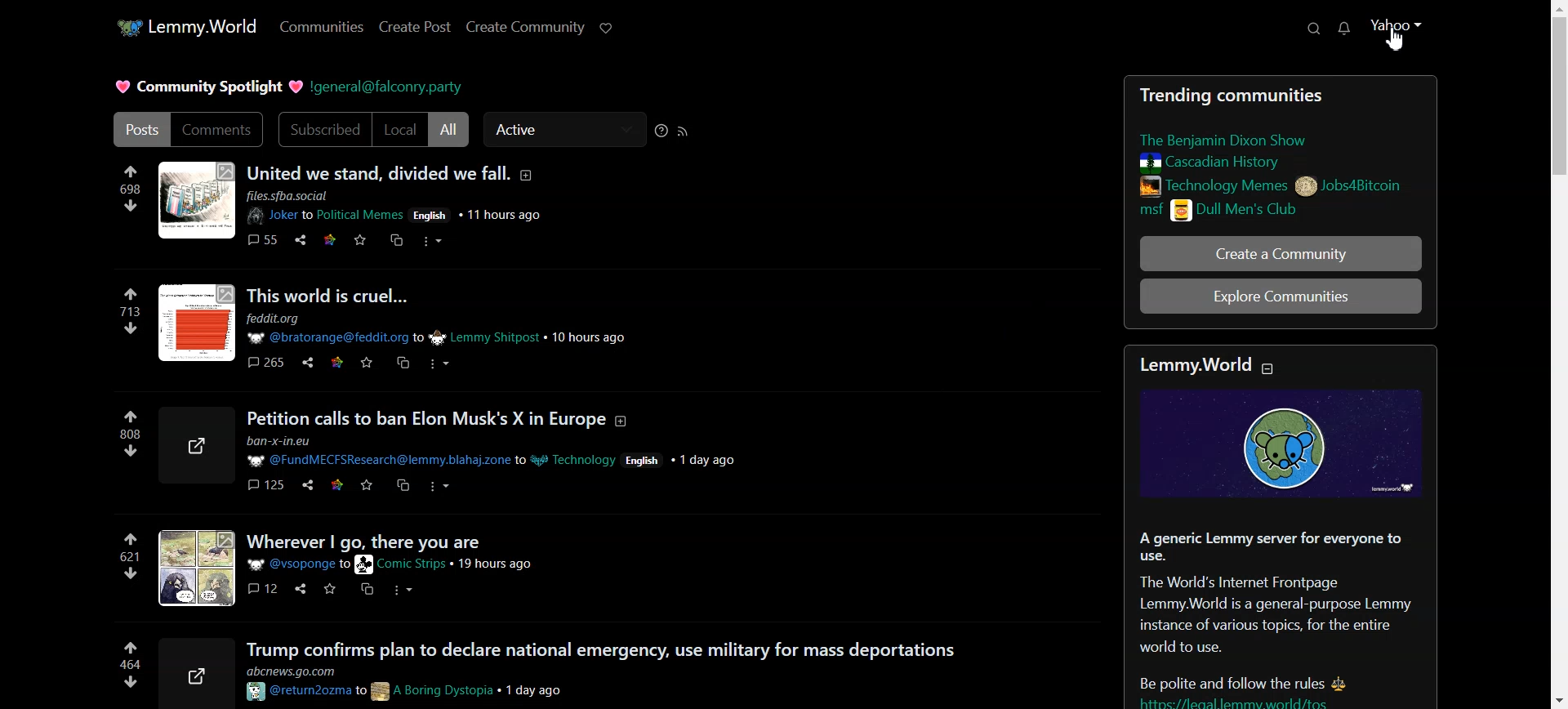 Image resolution: width=1568 pixels, height=709 pixels. I want to click on , so click(358, 247).